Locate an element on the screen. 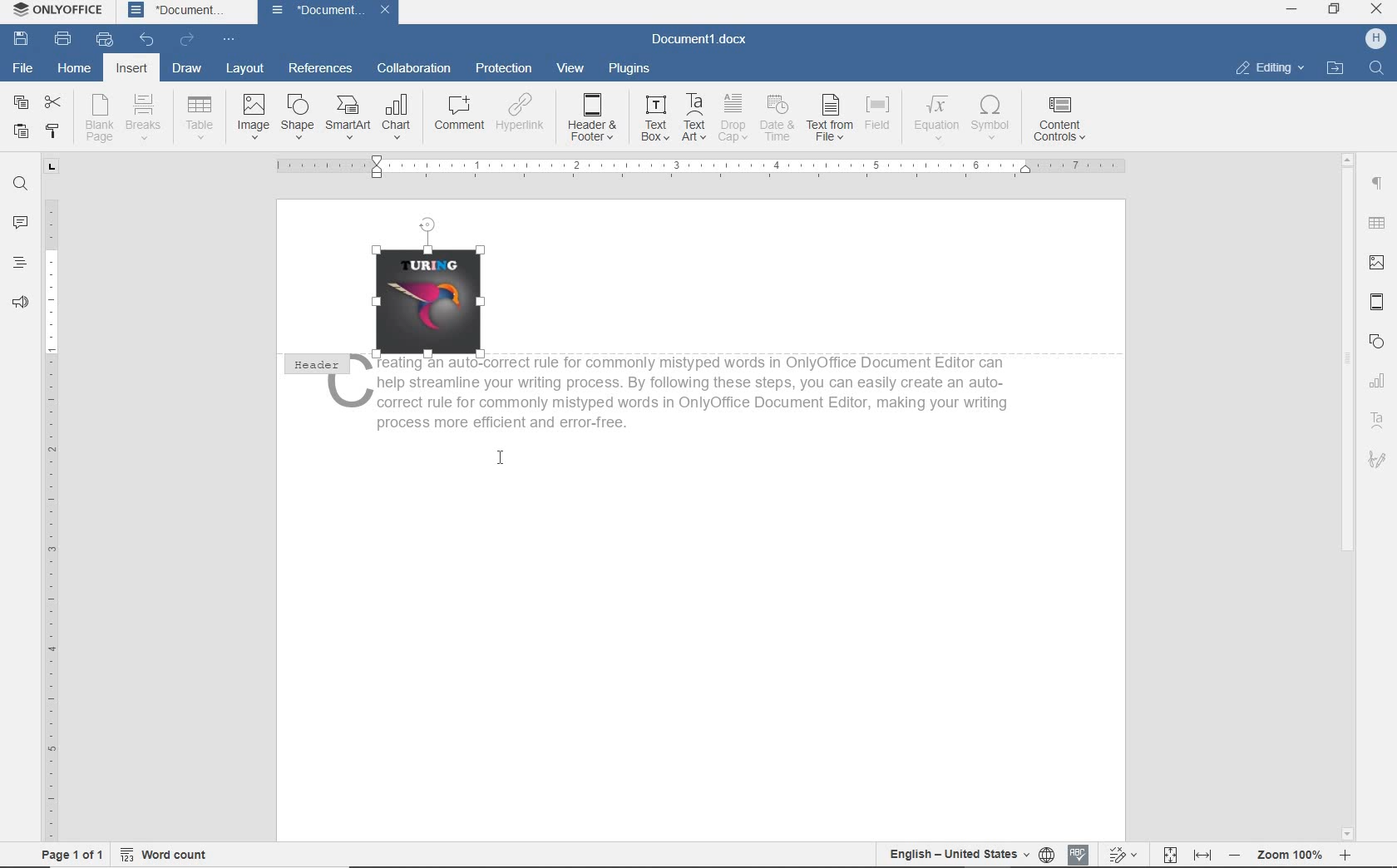 Image resolution: width=1397 pixels, height=868 pixels.  is located at coordinates (526, 113).